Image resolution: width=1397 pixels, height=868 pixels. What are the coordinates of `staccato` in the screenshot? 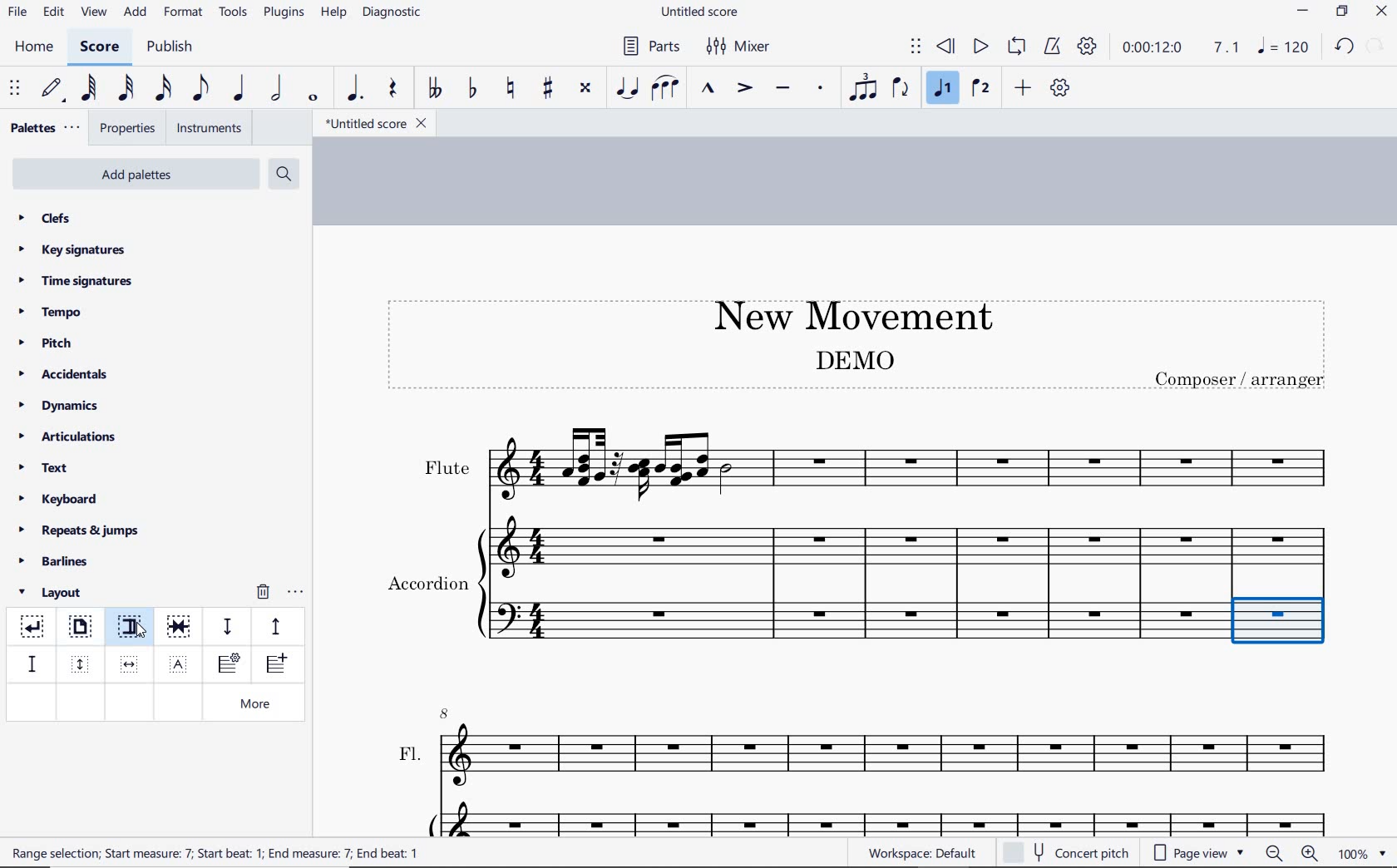 It's located at (821, 88).